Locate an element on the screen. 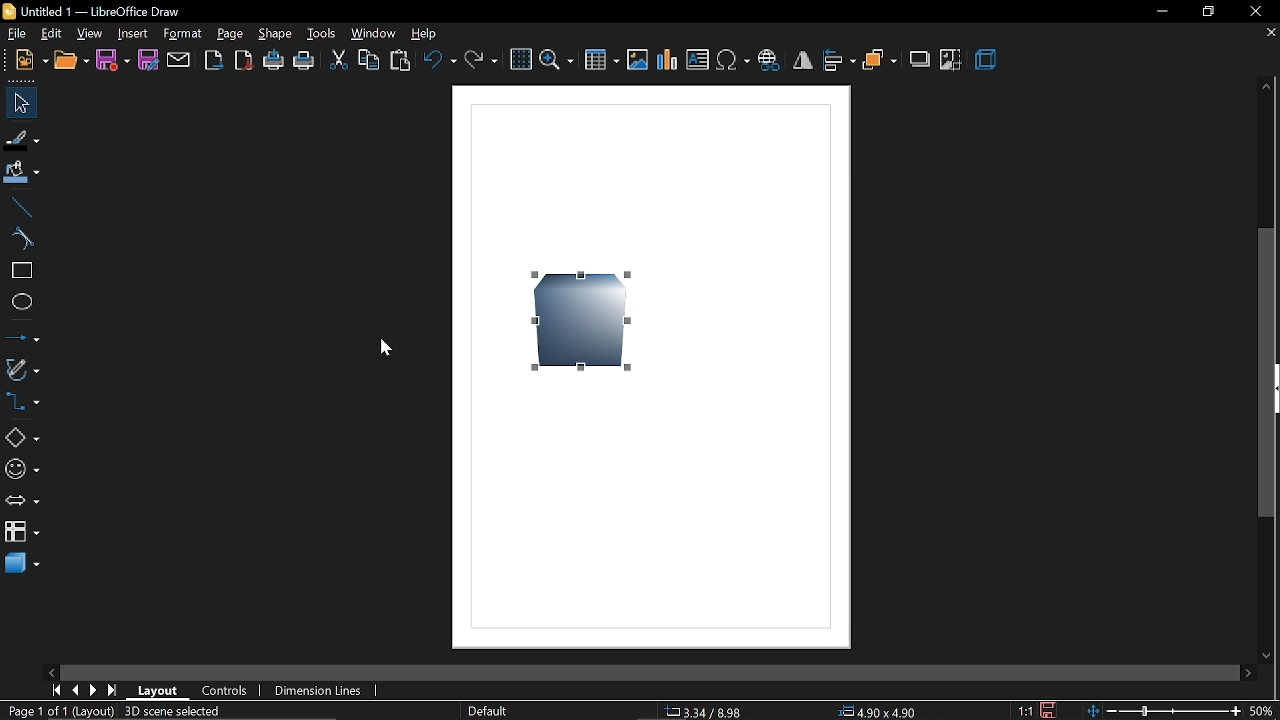 This screenshot has height=720, width=1280. export as pdf is located at coordinates (243, 61).